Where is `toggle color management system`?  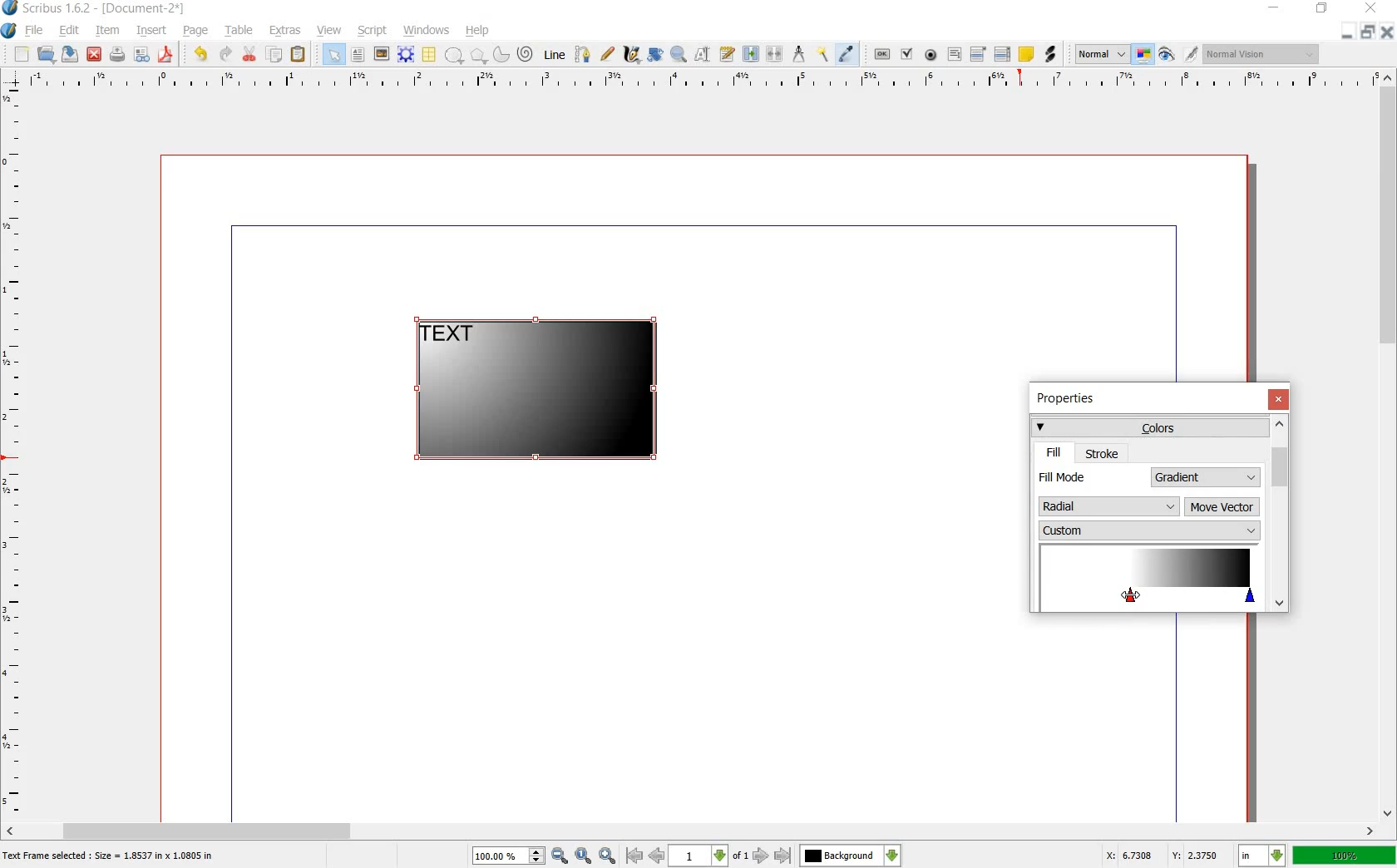
toggle color management system is located at coordinates (1144, 55).